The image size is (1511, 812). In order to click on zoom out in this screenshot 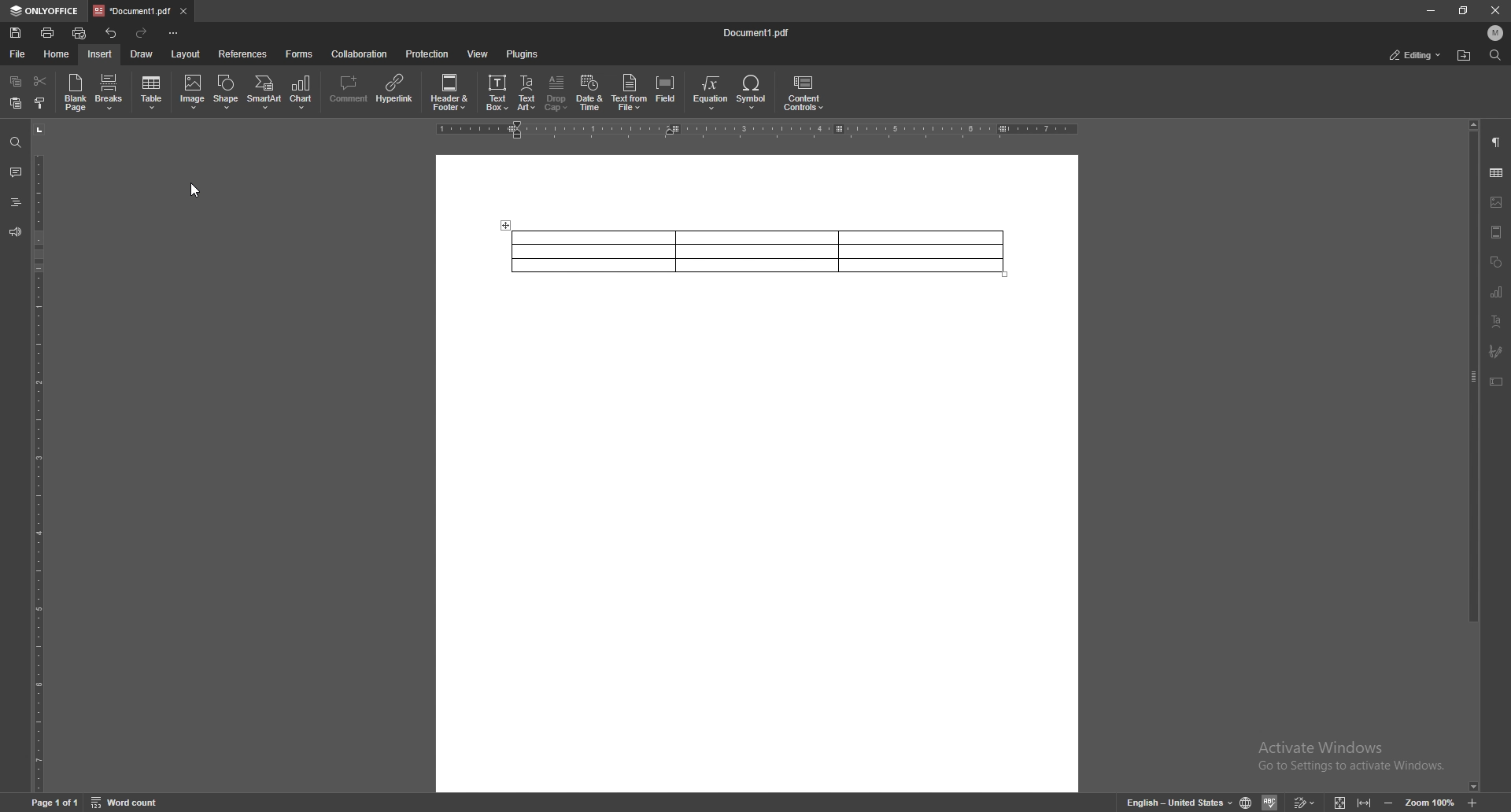, I will do `click(1391, 802)`.